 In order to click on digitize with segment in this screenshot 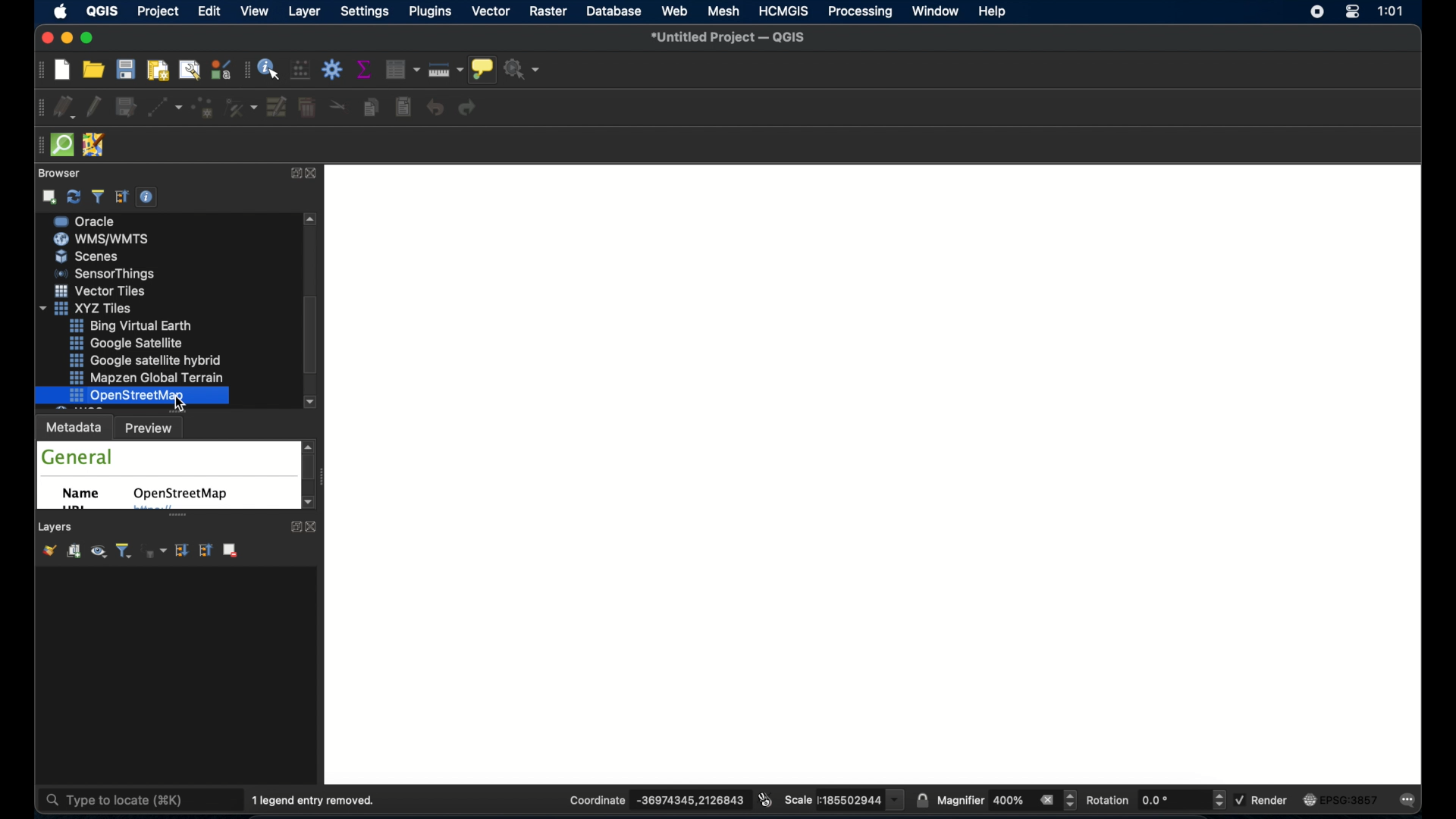, I will do `click(164, 110)`.